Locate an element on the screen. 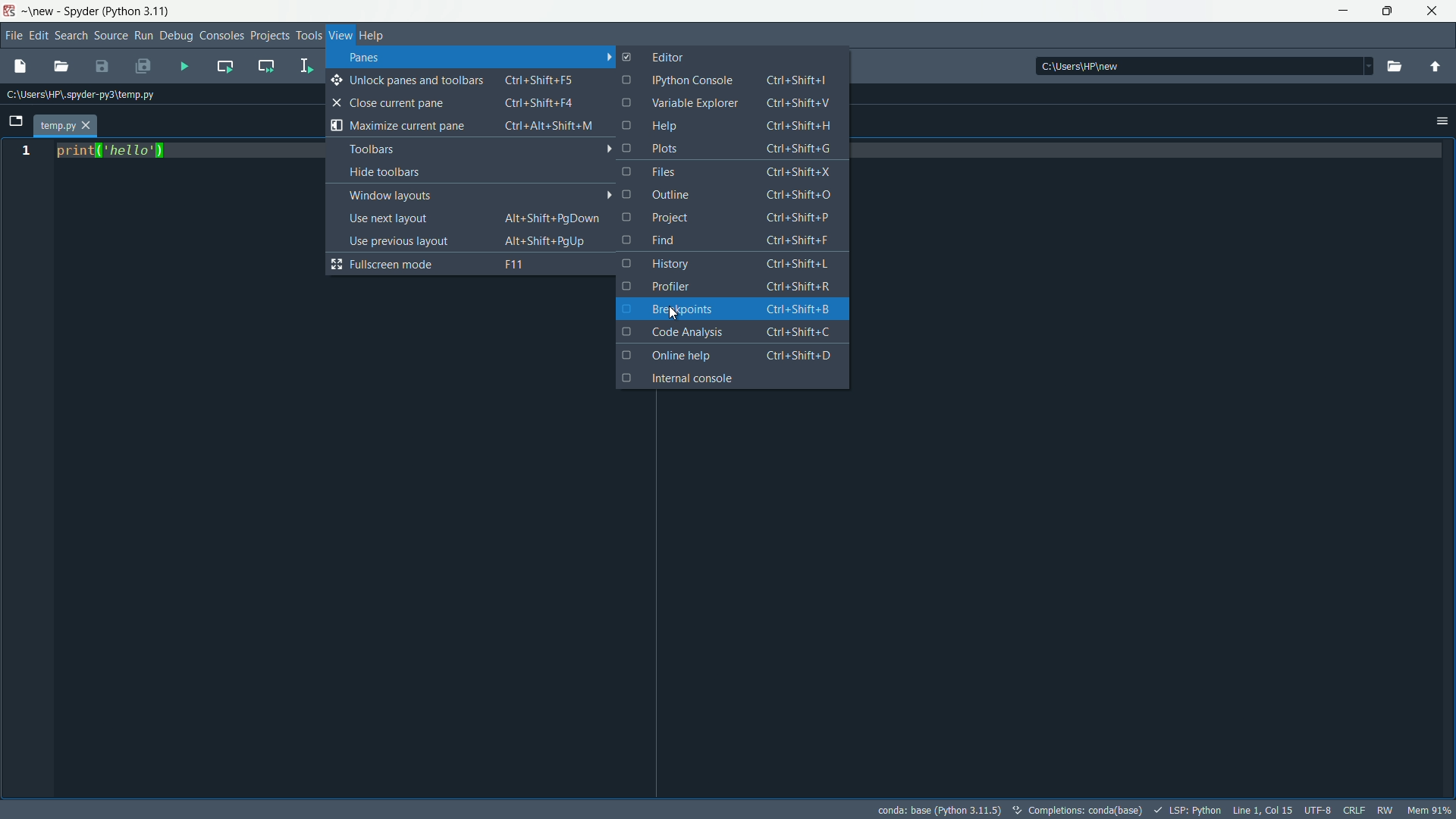  file eol status is located at coordinates (1354, 808).